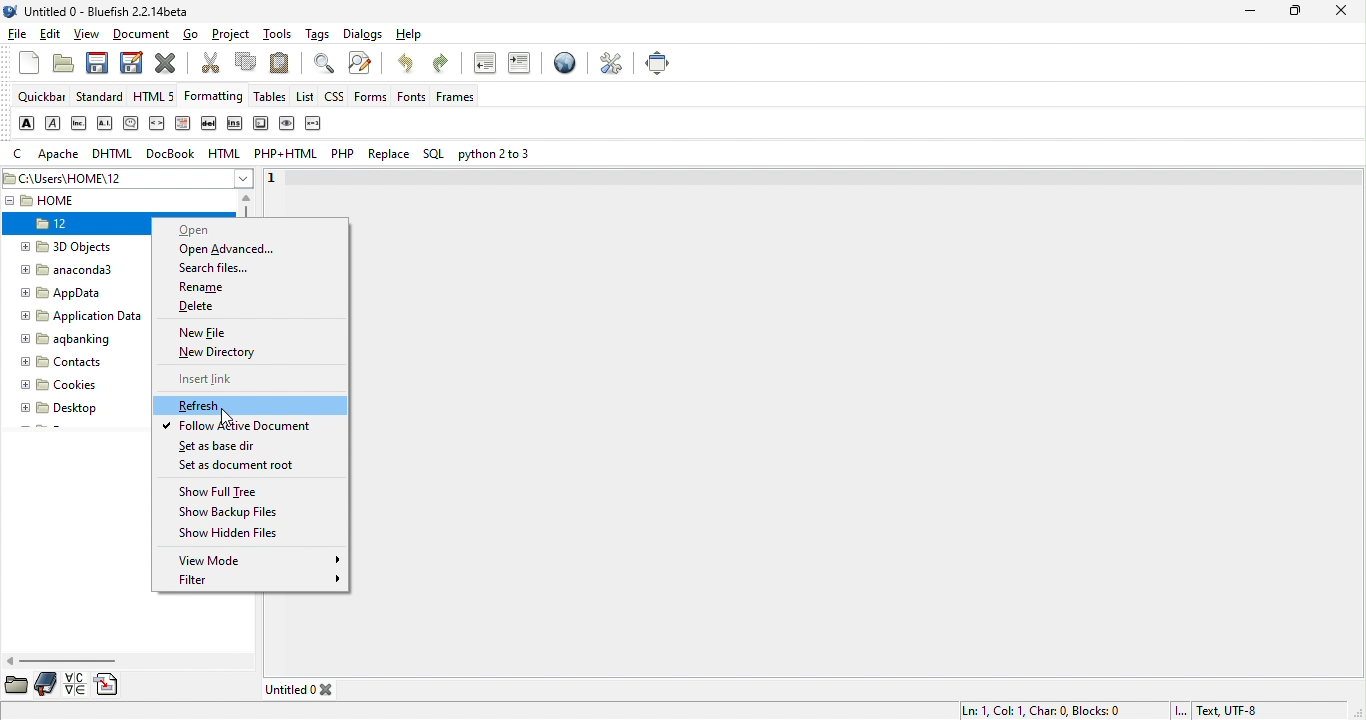 Image resolution: width=1366 pixels, height=720 pixels. Describe the element at coordinates (497, 155) in the screenshot. I see `python 2 or 3` at that location.